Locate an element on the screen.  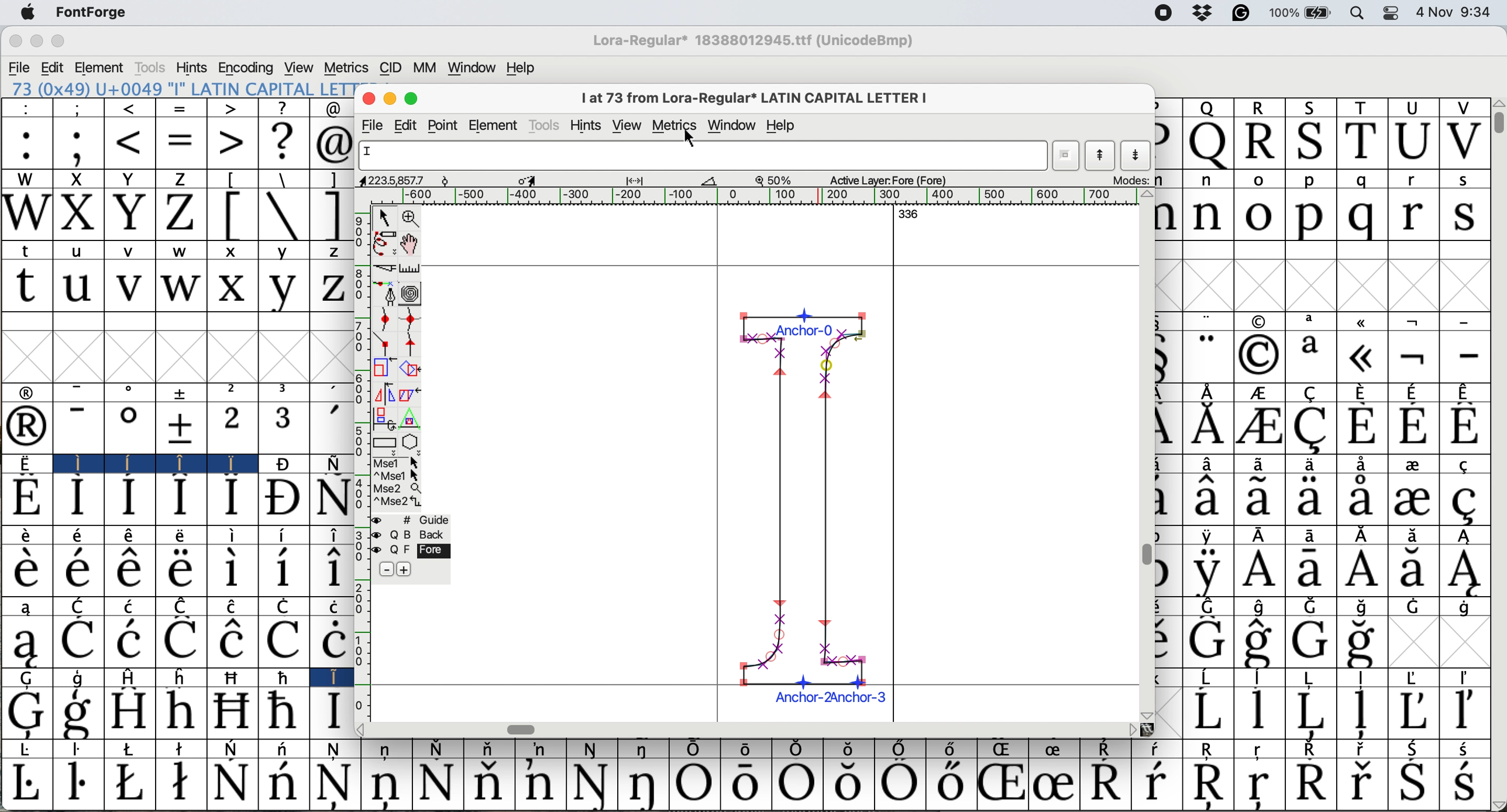
Symbol is located at coordinates (1465, 391).